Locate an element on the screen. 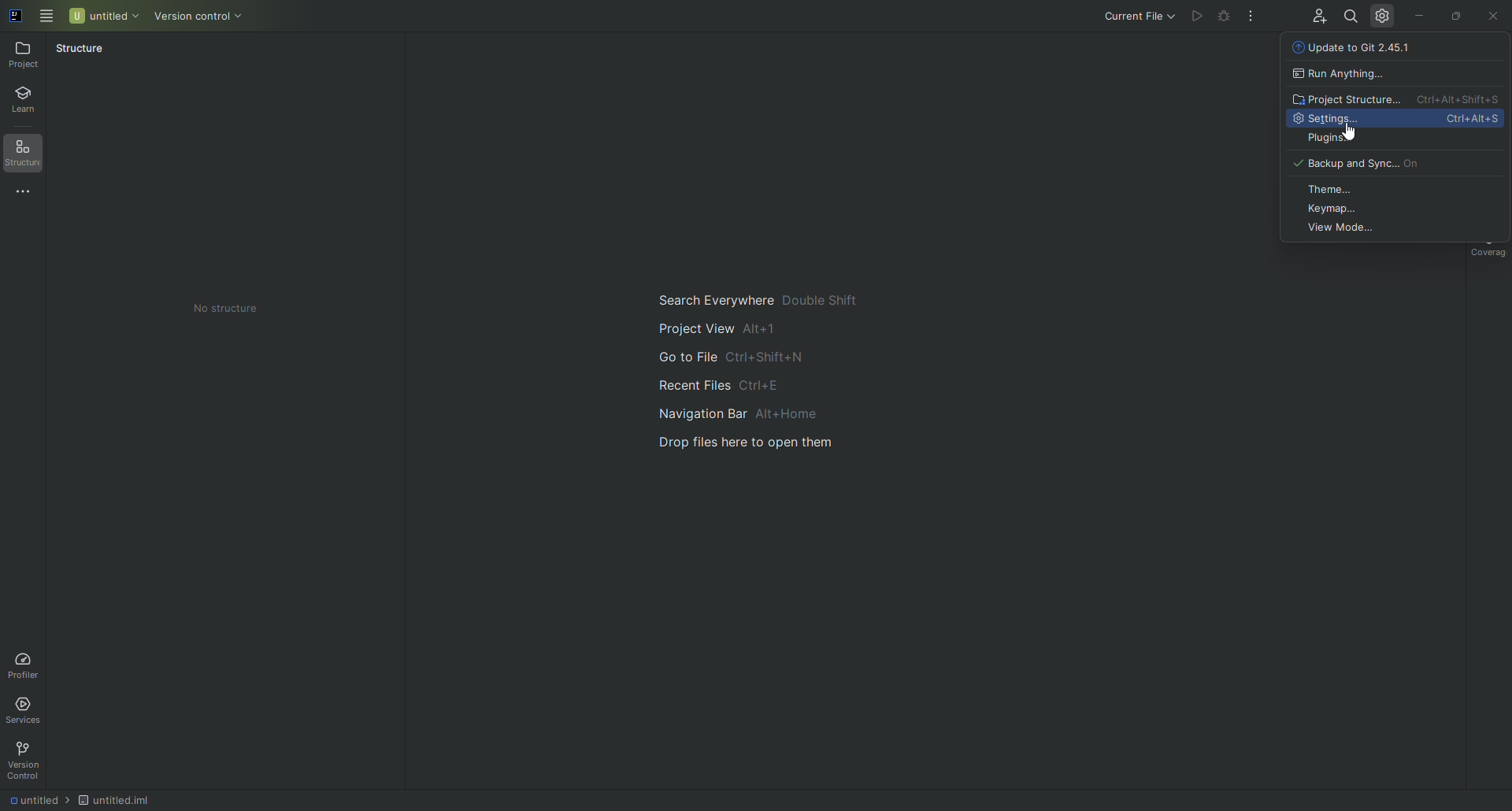 This screenshot has height=811, width=1512. Services is located at coordinates (33, 710).